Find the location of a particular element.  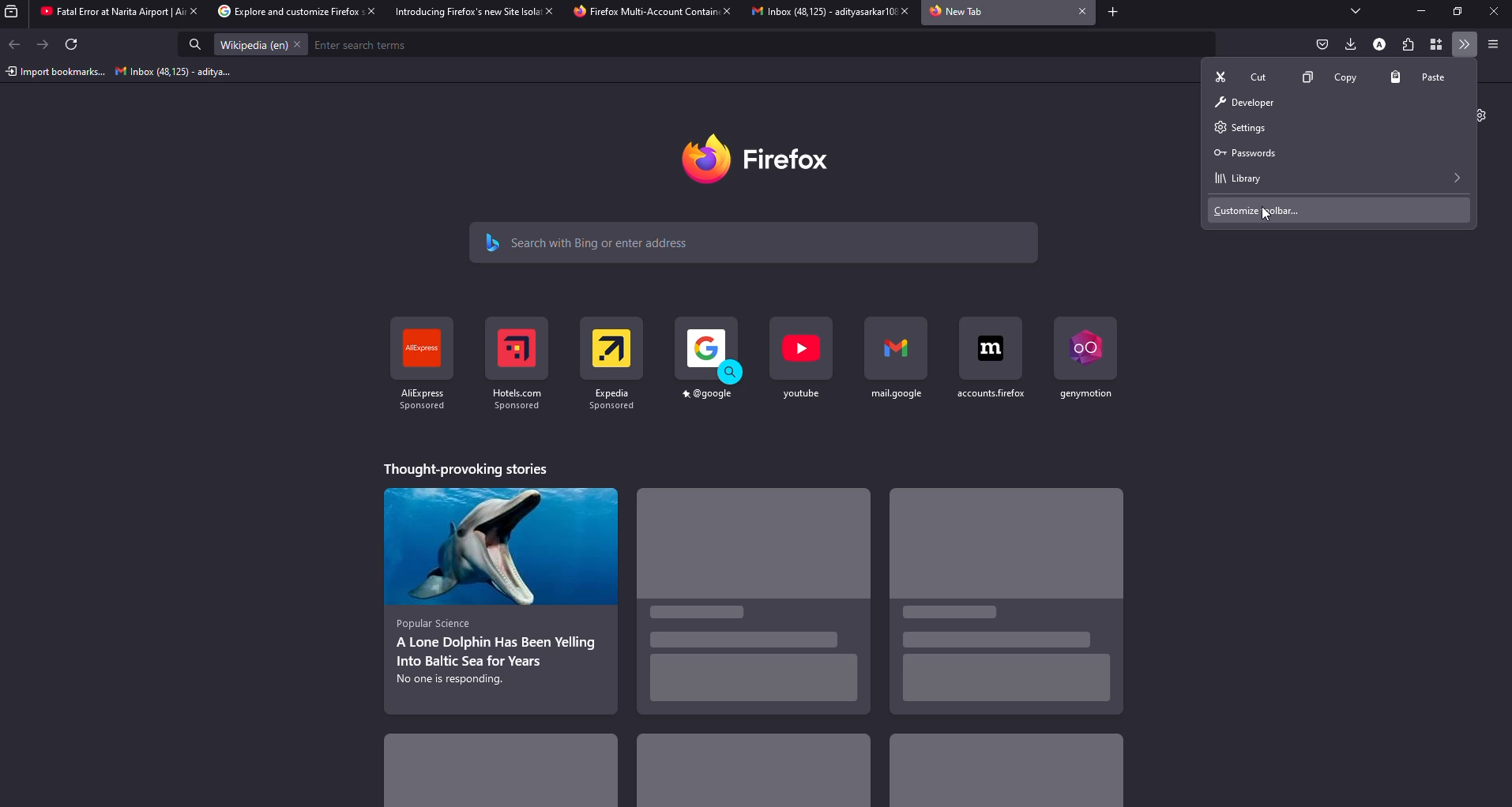

stories is located at coordinates (1004, 602).